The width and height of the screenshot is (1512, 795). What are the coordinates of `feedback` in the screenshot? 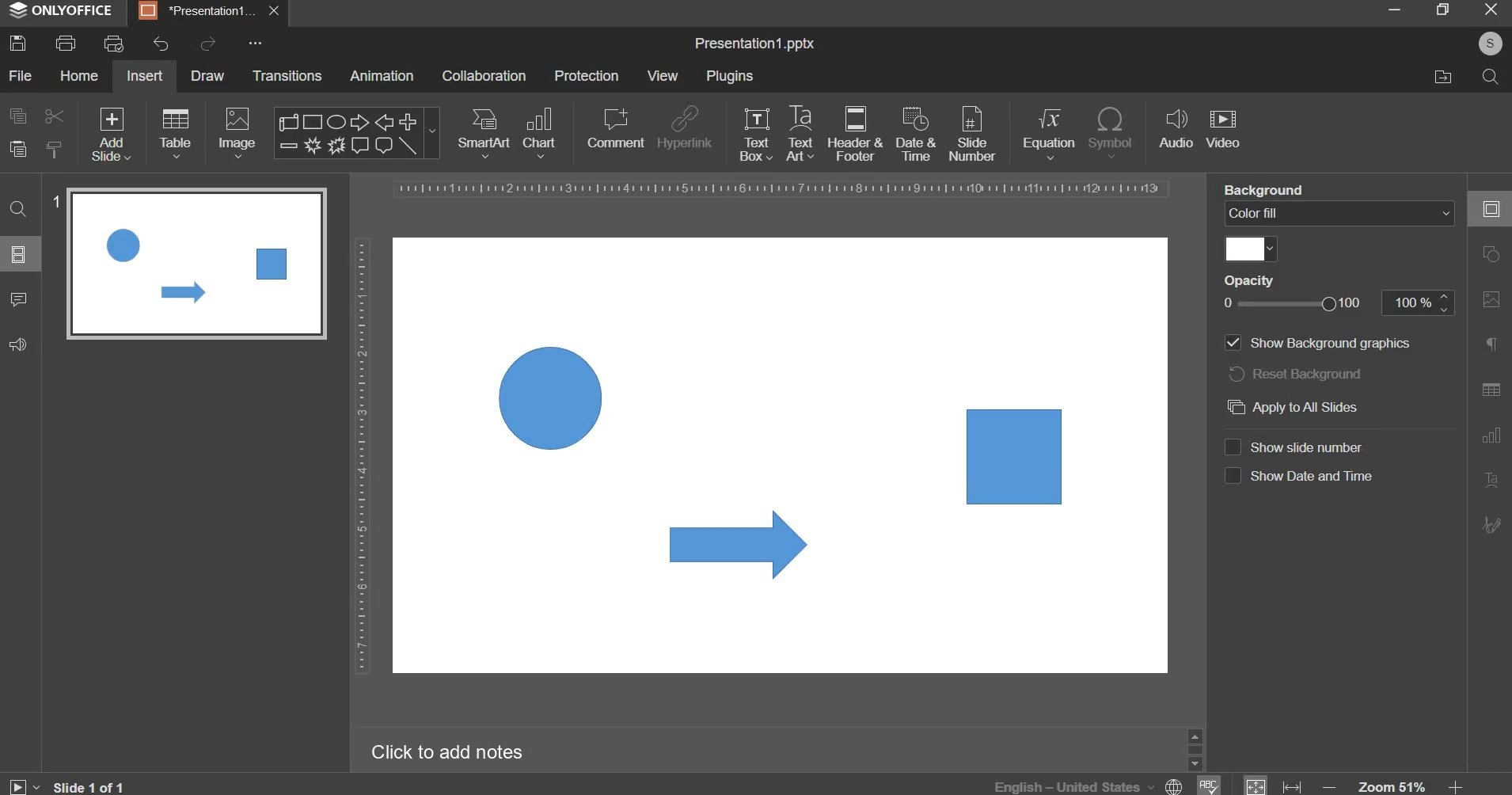 It's located at (17, 344).